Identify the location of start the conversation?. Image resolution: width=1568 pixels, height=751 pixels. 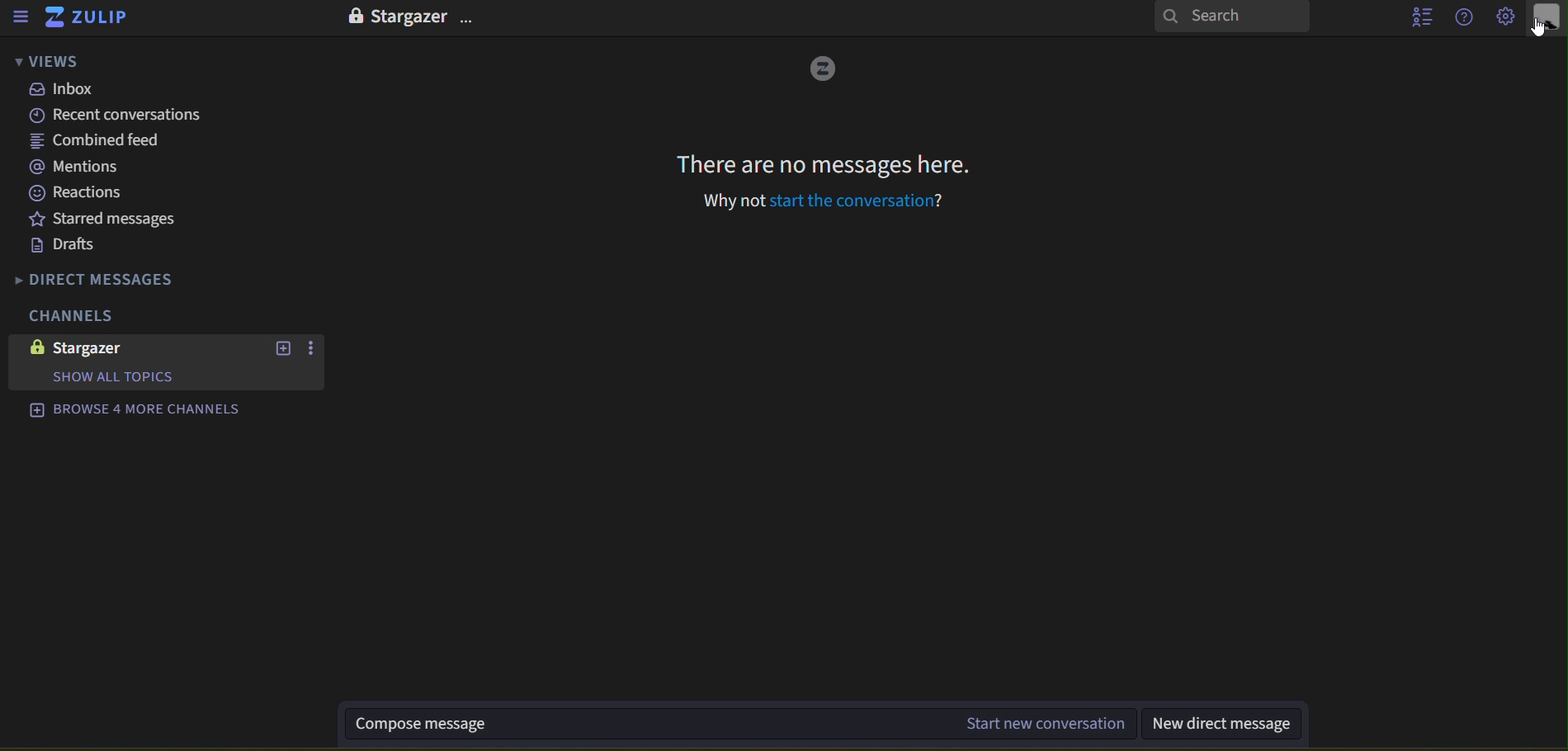
(857, 201).